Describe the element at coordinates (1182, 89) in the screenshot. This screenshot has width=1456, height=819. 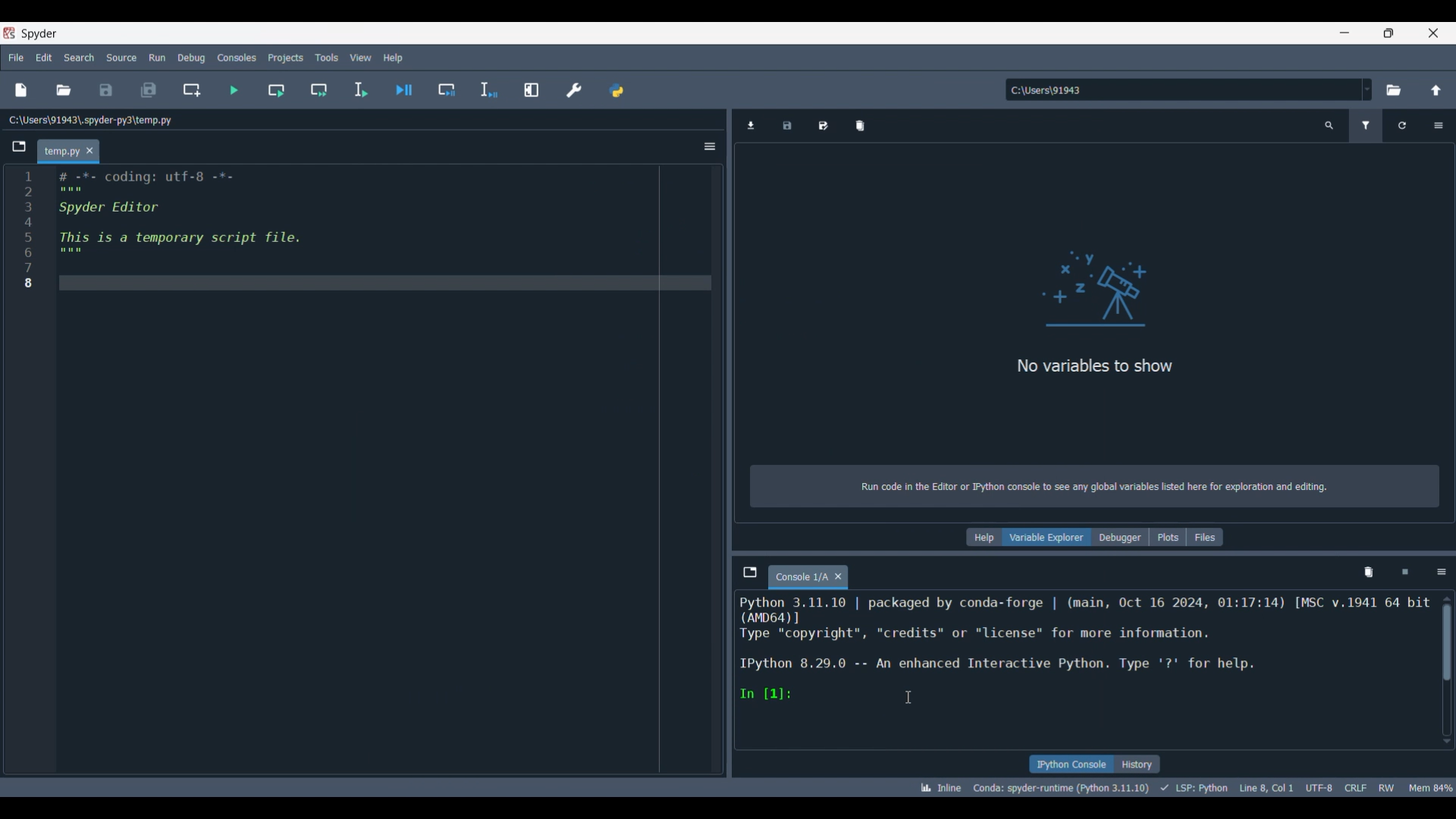
I see `Enter location` at that location.